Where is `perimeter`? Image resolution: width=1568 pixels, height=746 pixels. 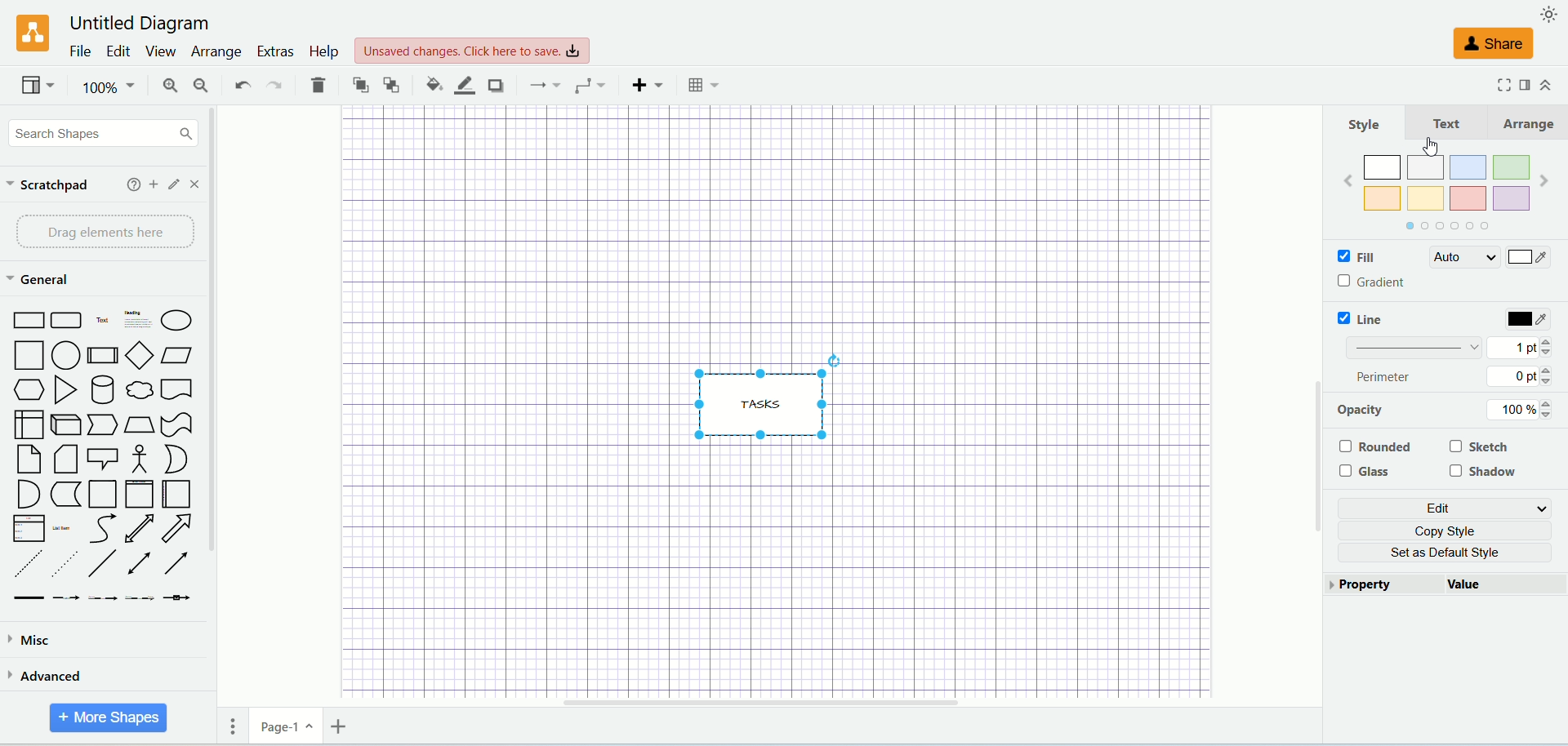
perimeter is located at coordinates (1388, 377).